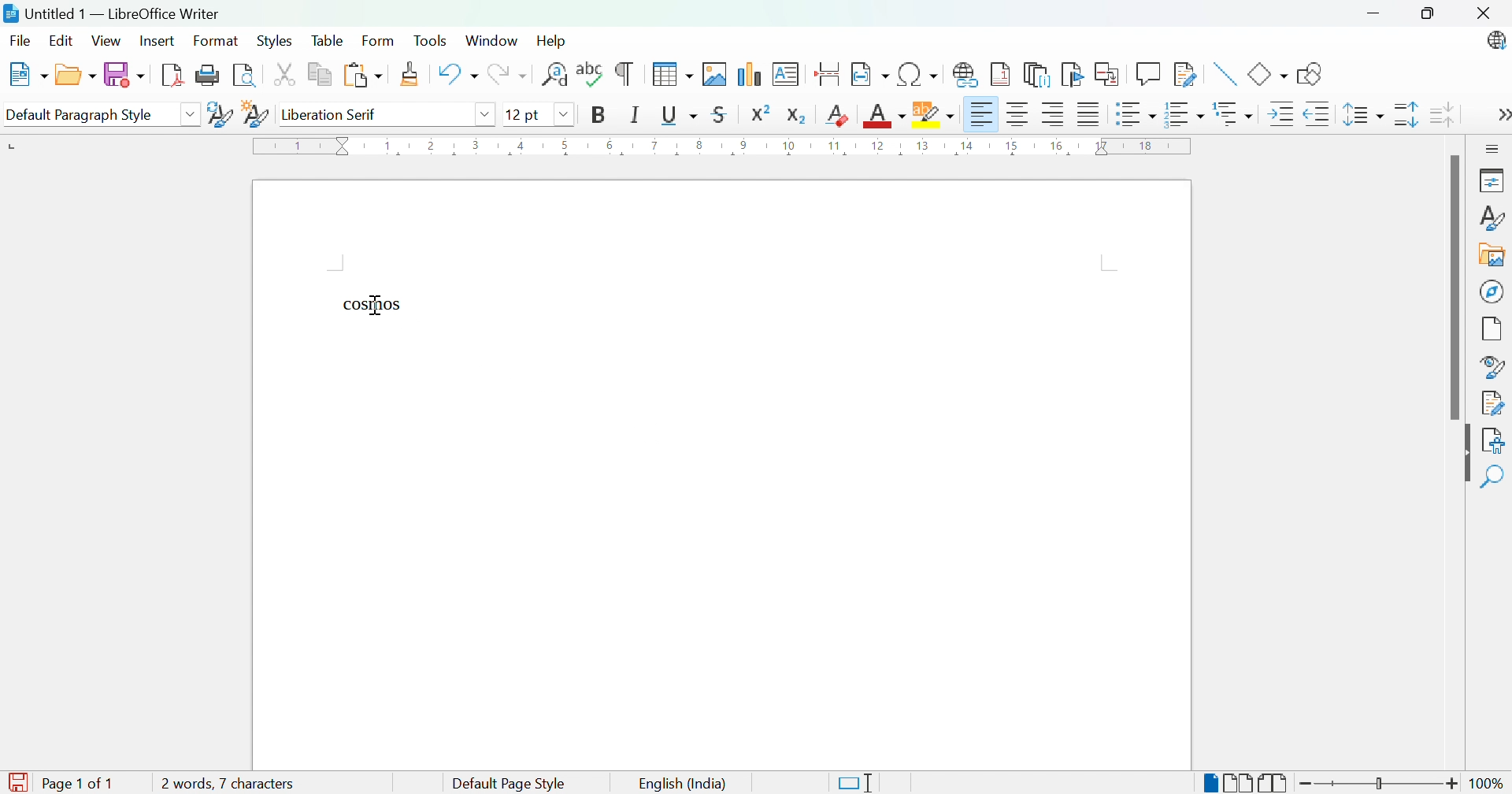  Describe the element at coordinates (1057, 116) in the screenshot. I see `Align right` at that location.